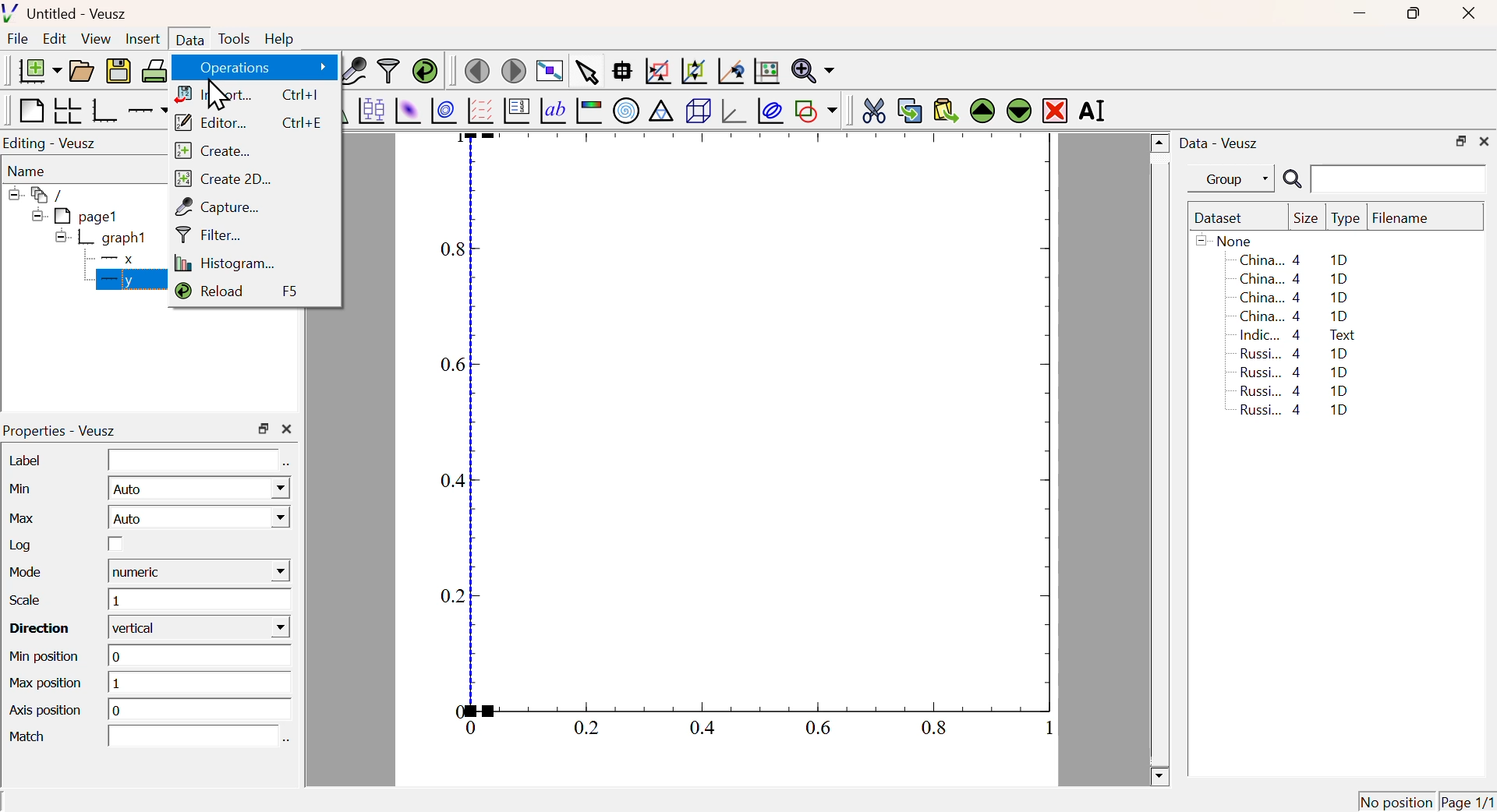  Describe the element at coordinates (589, 111) in the screenshot. I see `Image Color bar` at that location.